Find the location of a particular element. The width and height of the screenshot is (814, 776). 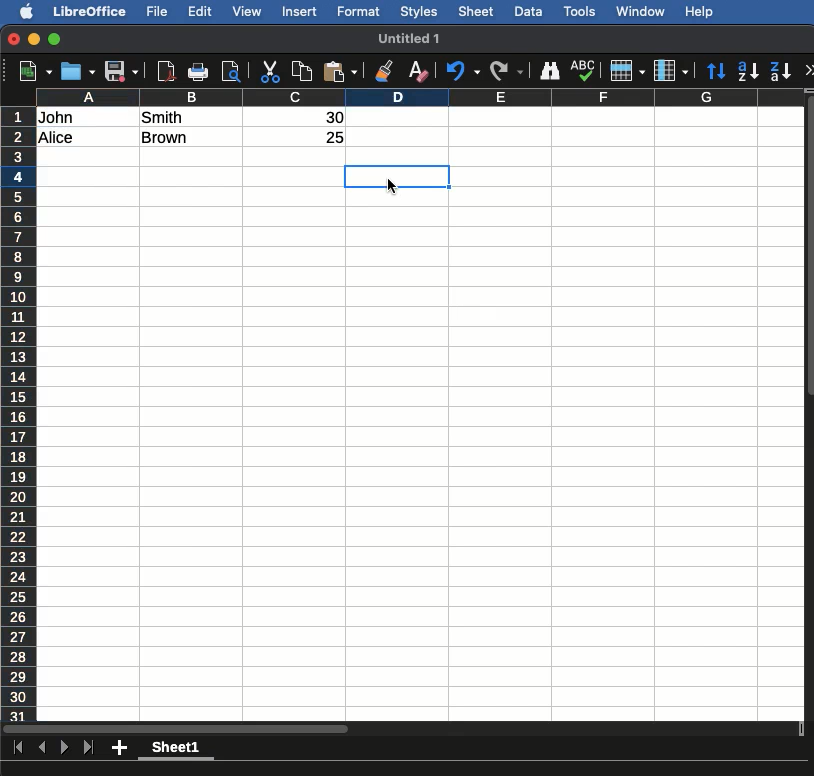

Ascending is located at coordinates (750, 70).